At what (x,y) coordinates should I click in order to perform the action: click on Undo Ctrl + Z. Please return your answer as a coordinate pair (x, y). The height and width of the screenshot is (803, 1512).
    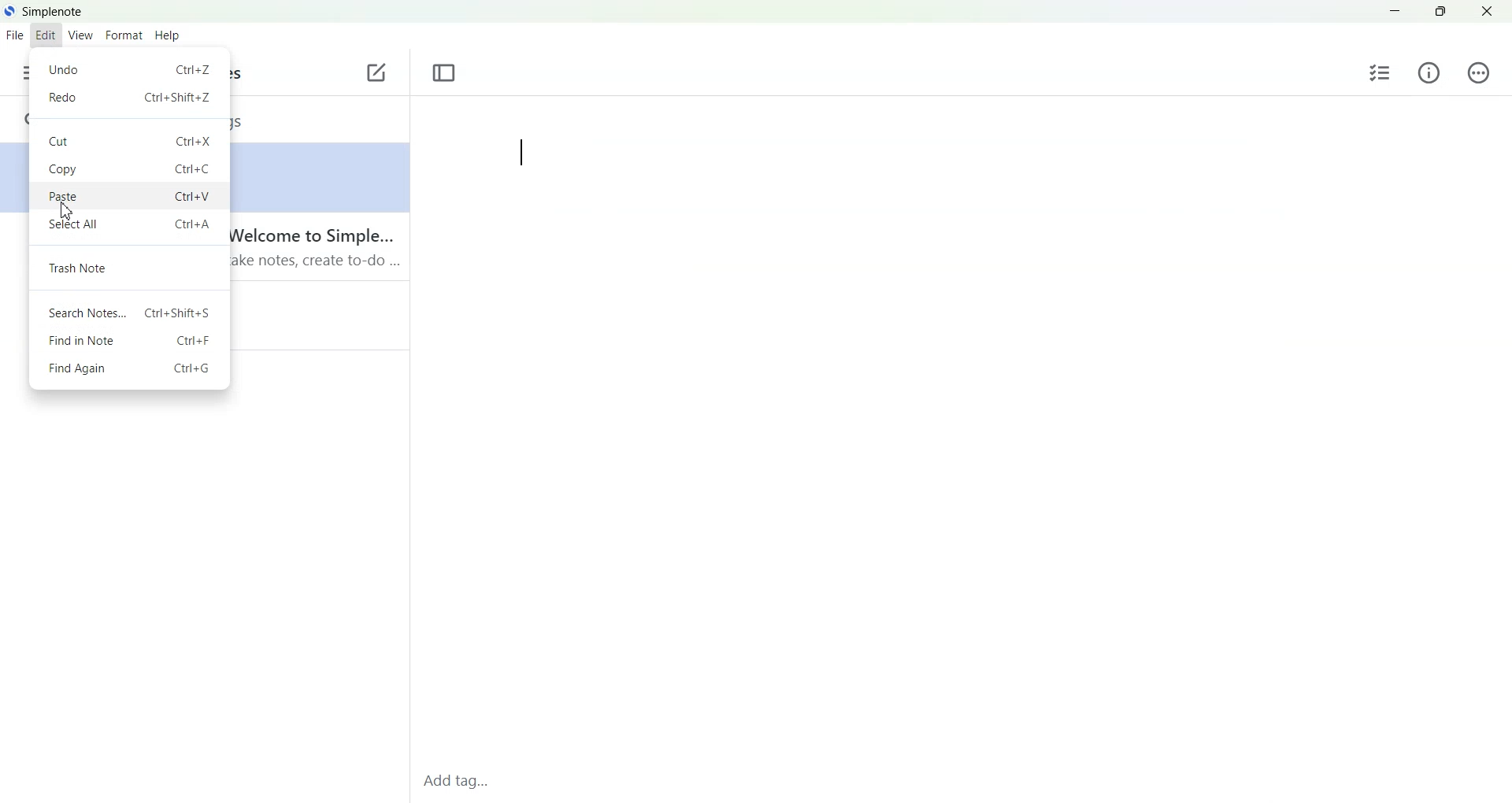
    Looking at the image, I should click on (128, 69).